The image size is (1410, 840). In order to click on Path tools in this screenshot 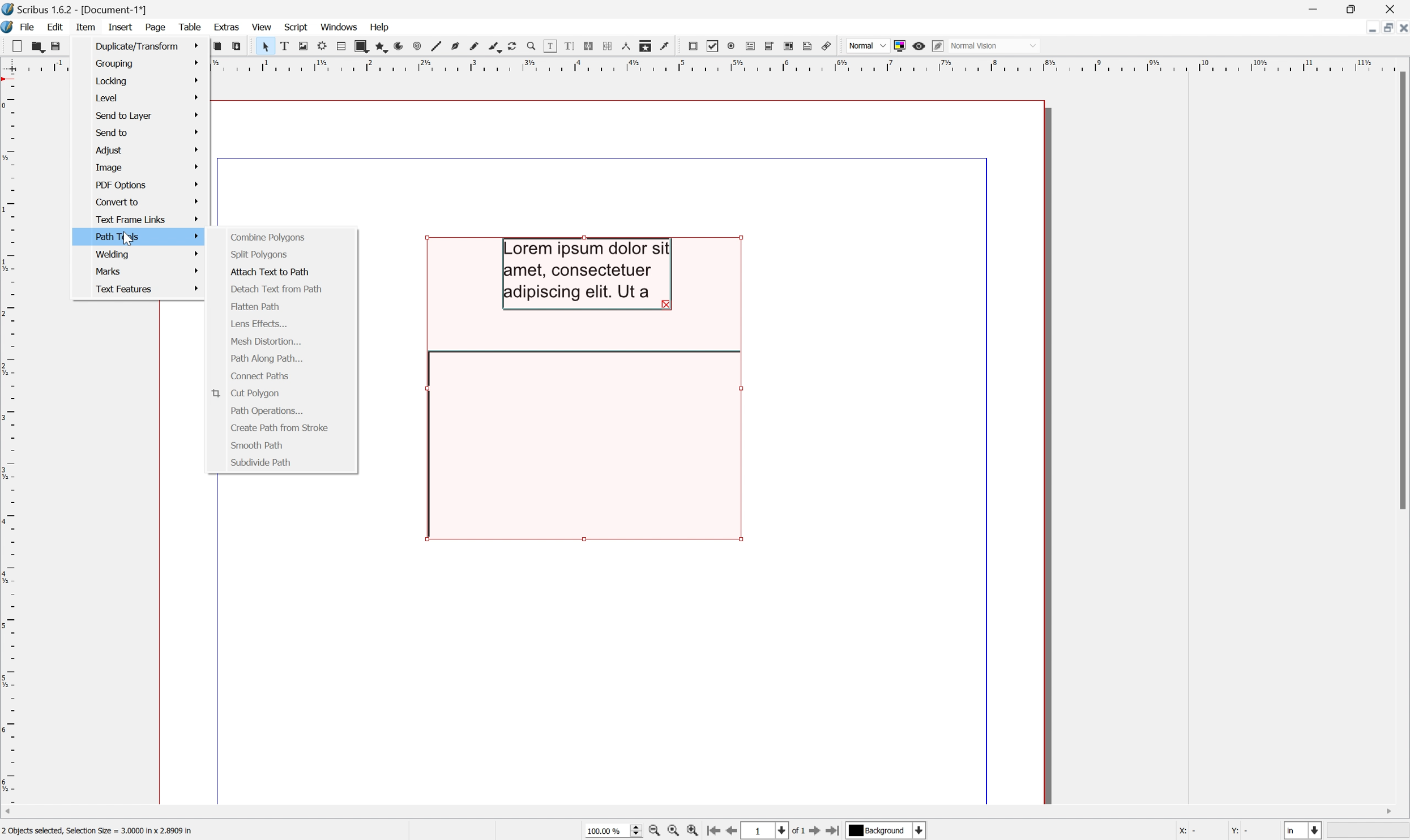, I will do `click(146, 236)`.